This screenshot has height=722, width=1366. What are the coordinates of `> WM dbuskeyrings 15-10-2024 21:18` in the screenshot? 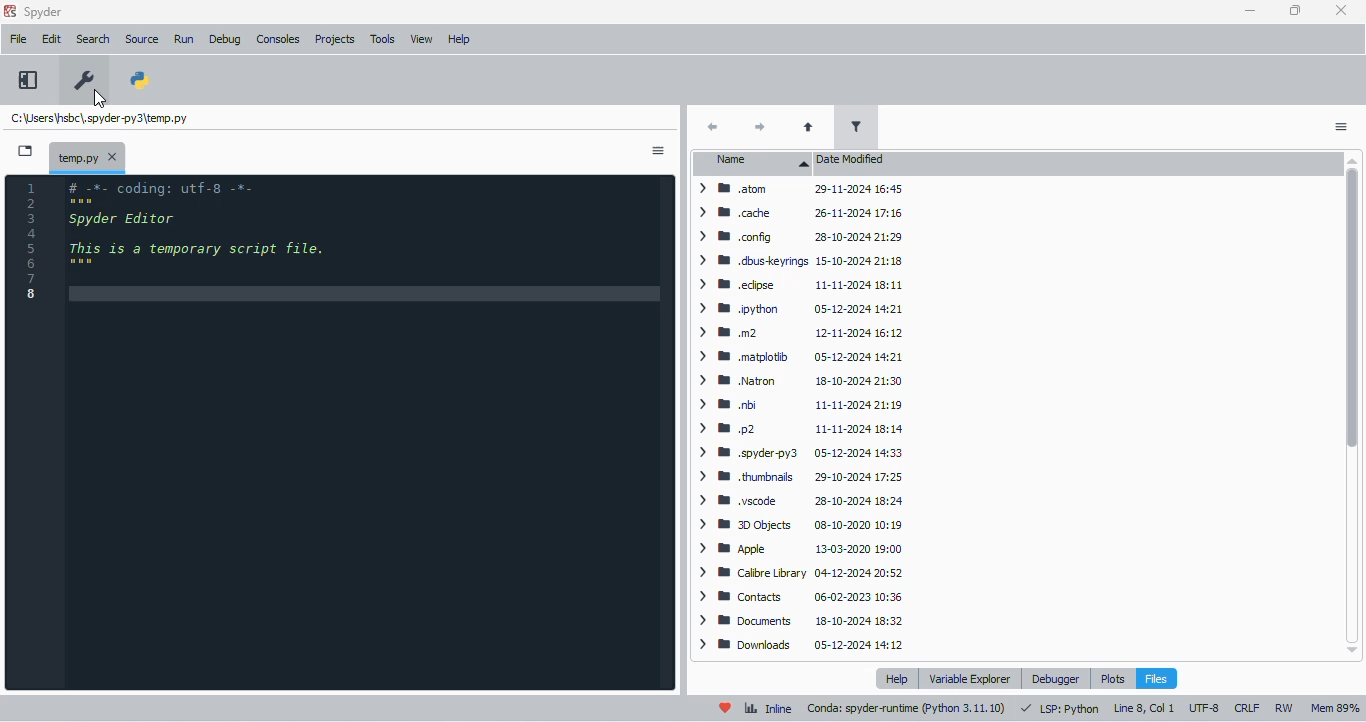 It's located at (796, 261).